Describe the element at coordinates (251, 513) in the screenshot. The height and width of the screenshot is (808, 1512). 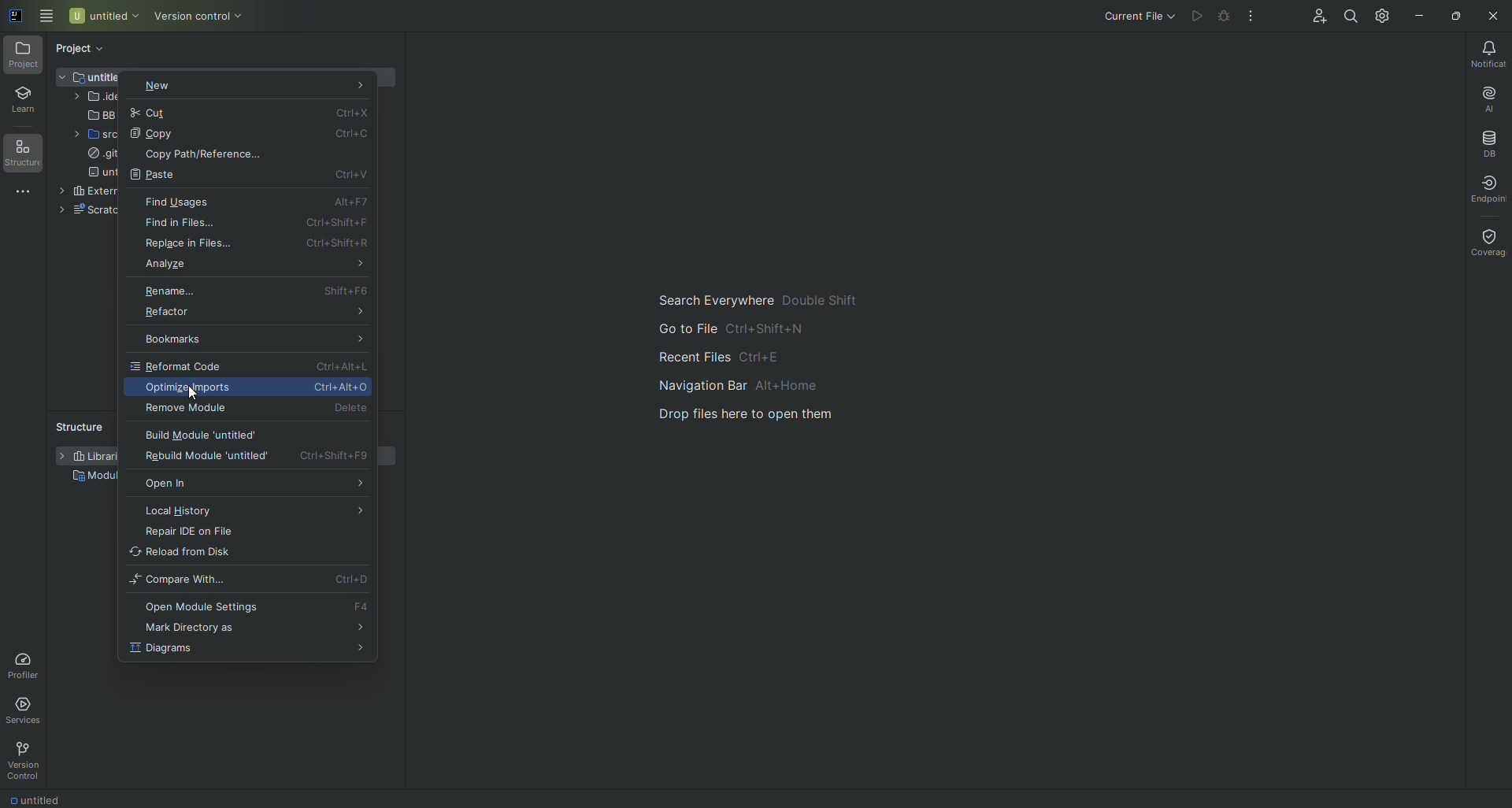
I see `Local History` at that location.